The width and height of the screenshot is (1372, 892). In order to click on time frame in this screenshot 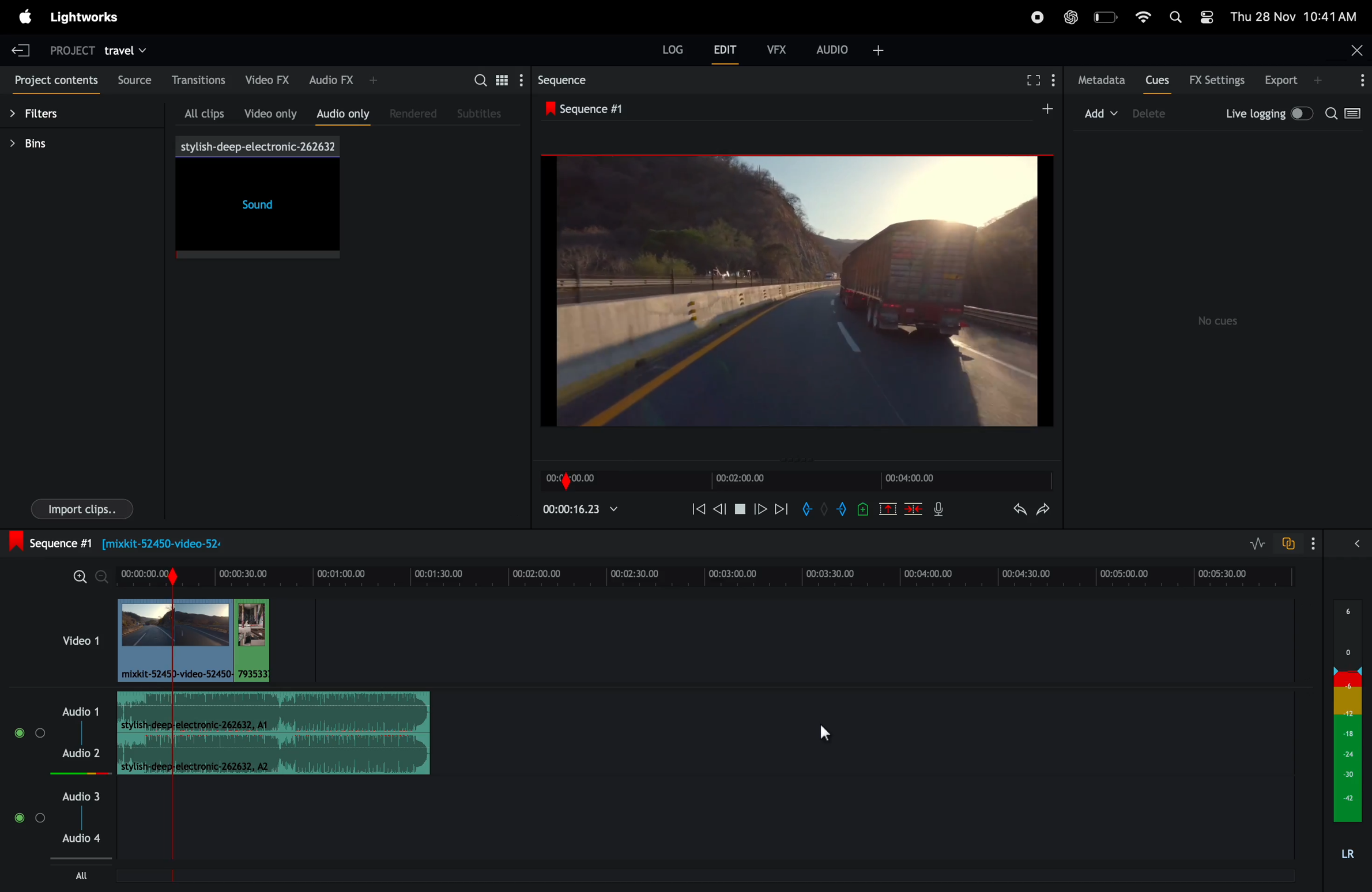, I will do `click(703, 576)`.